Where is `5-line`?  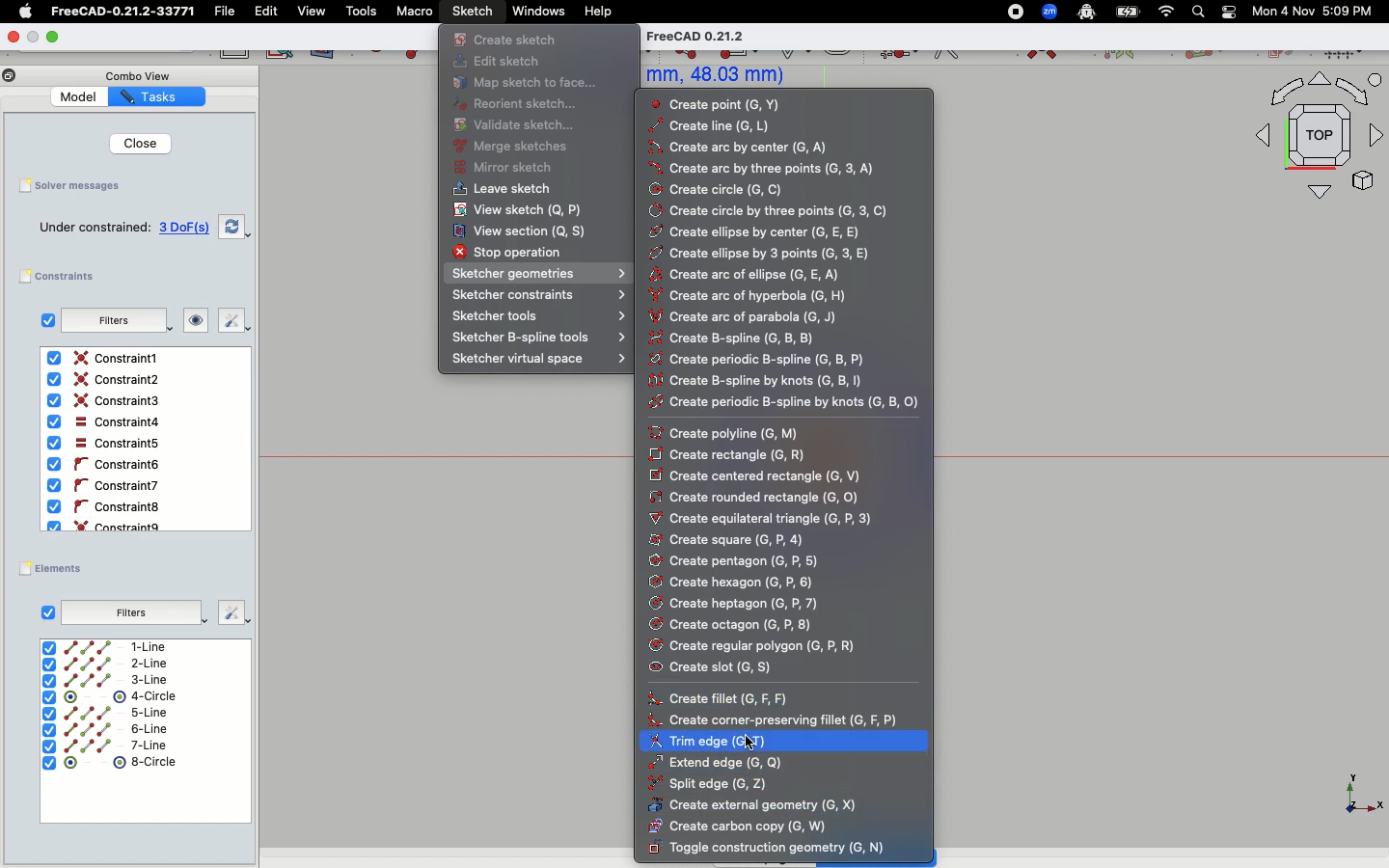 5-line is located at coordinates (107, 713).